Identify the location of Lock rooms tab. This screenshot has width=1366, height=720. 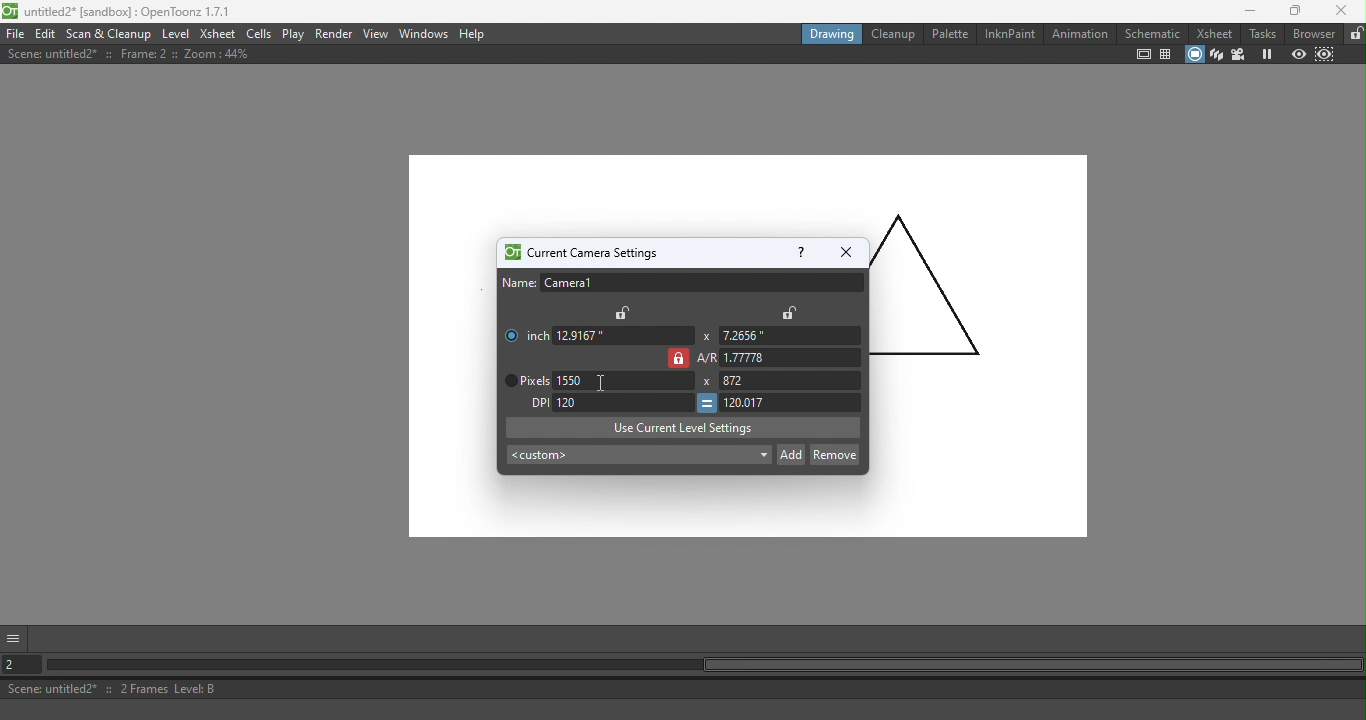
(1354, 34).